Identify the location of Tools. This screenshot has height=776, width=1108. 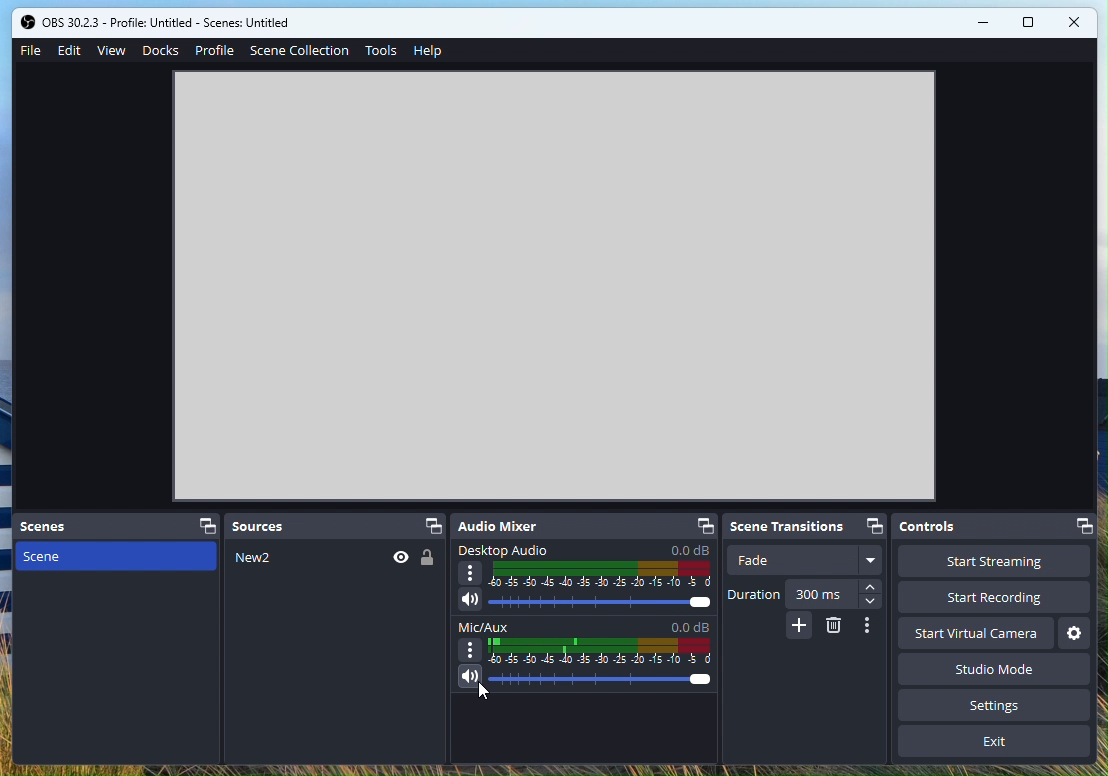
(1075, 634).